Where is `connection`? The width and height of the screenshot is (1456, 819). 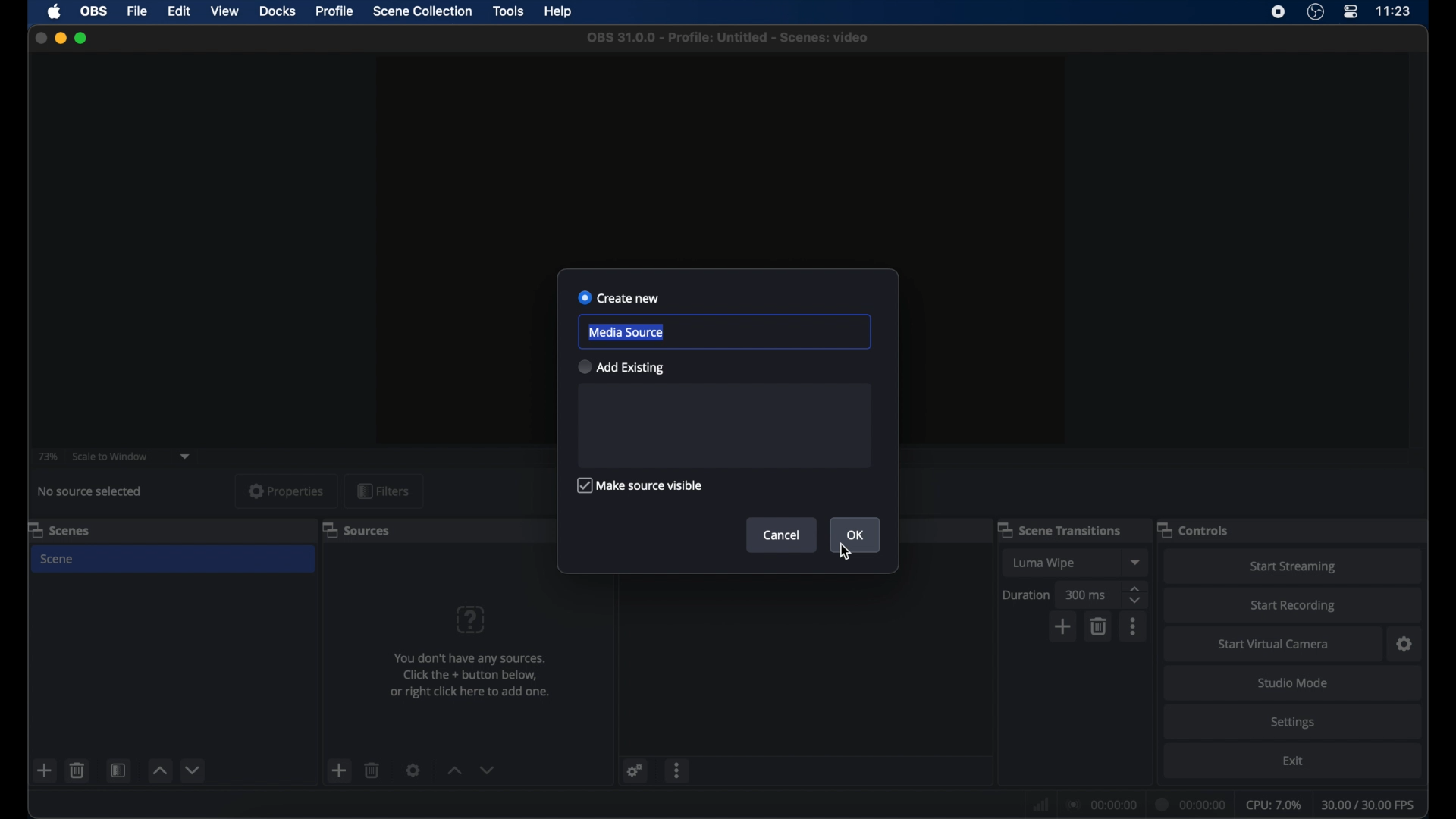
connection is located at coordinates (1103, 805).